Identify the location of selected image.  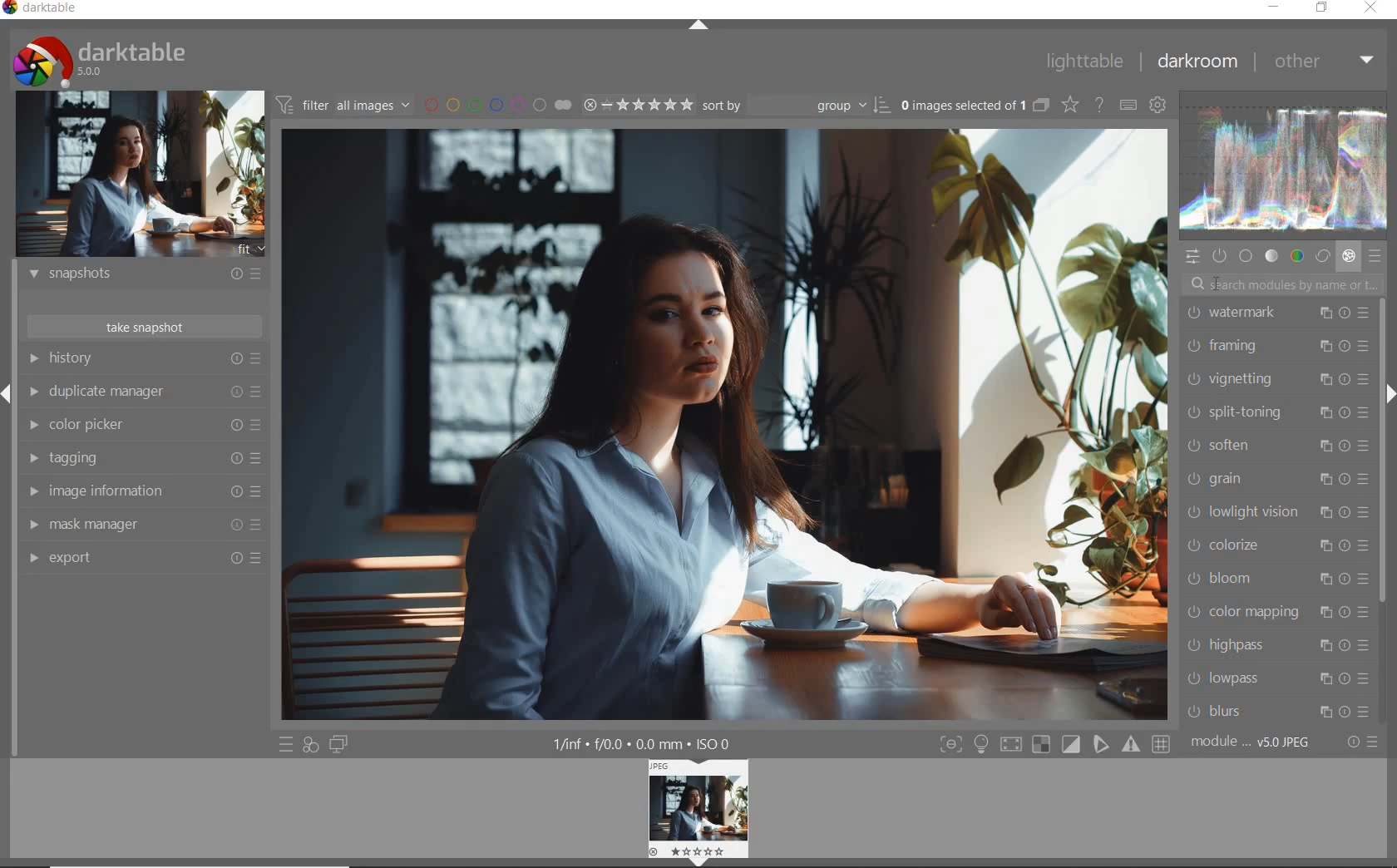
(725, 421).